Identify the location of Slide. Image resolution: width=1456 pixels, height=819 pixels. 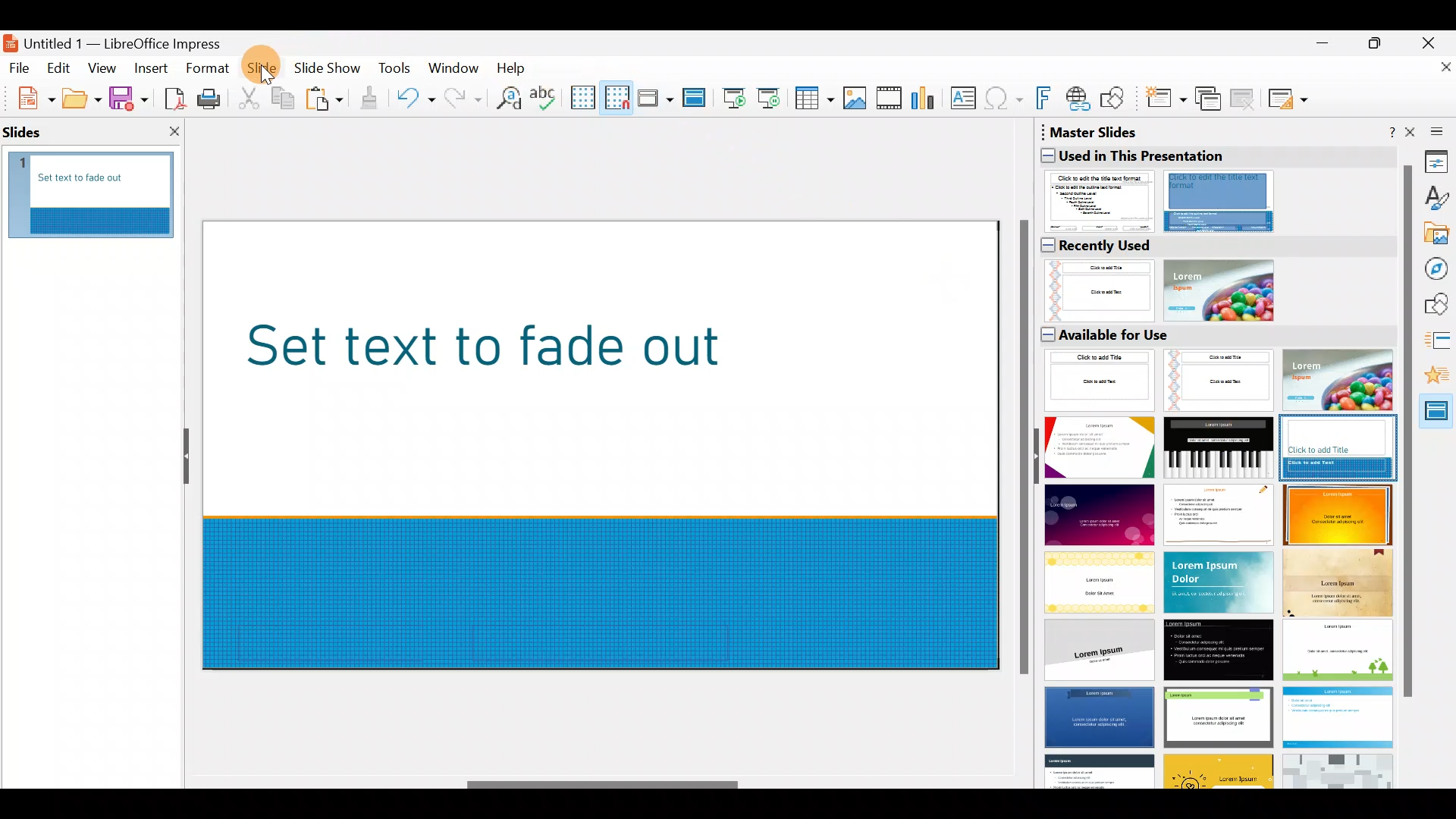
(264, 69).